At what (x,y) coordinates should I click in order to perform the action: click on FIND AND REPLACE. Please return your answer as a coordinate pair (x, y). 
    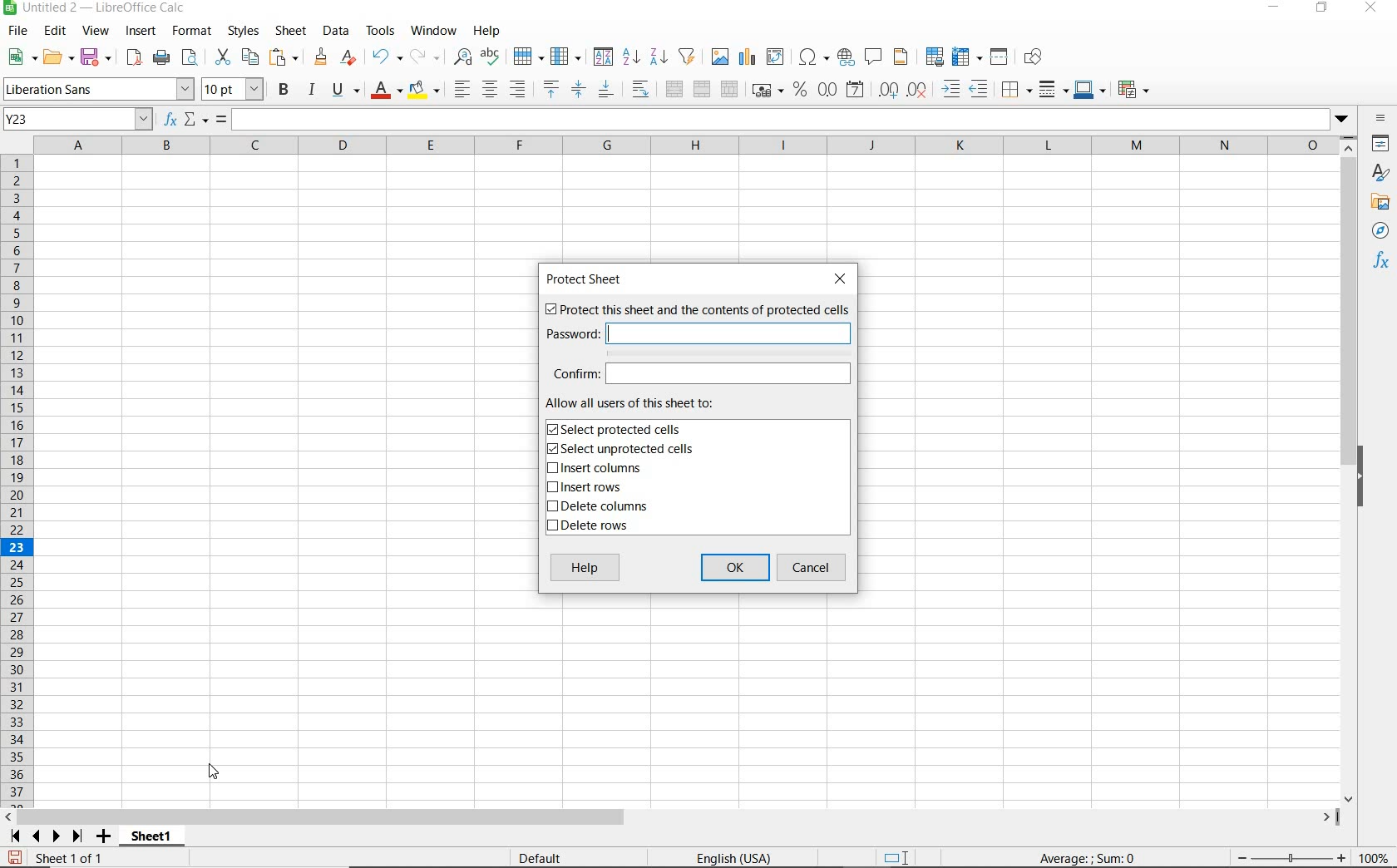
    Looking at the image, I should click on (459, 57).